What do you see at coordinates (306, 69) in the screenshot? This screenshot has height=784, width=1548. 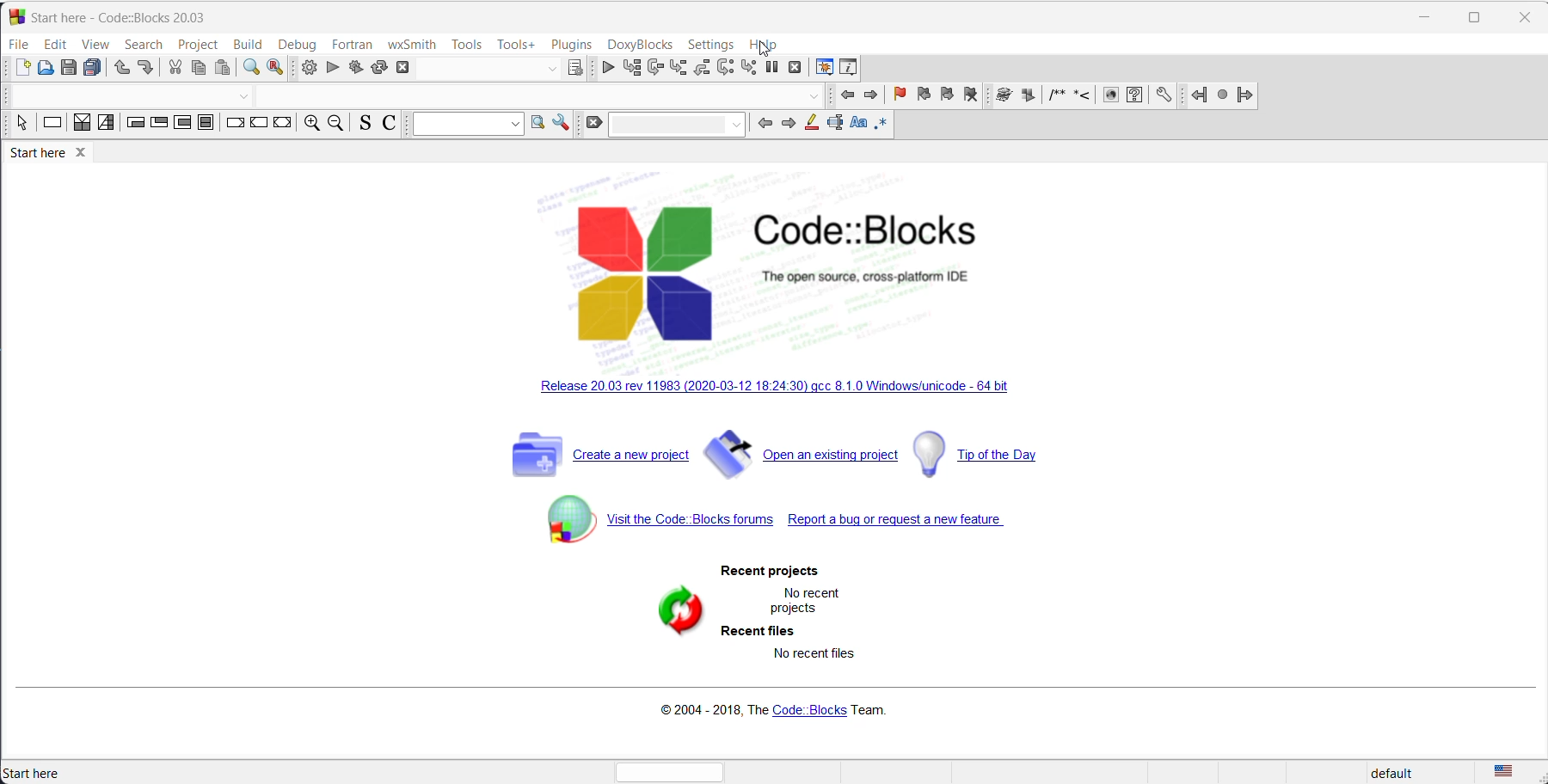 I see `build` at bounding box center [306, 69].